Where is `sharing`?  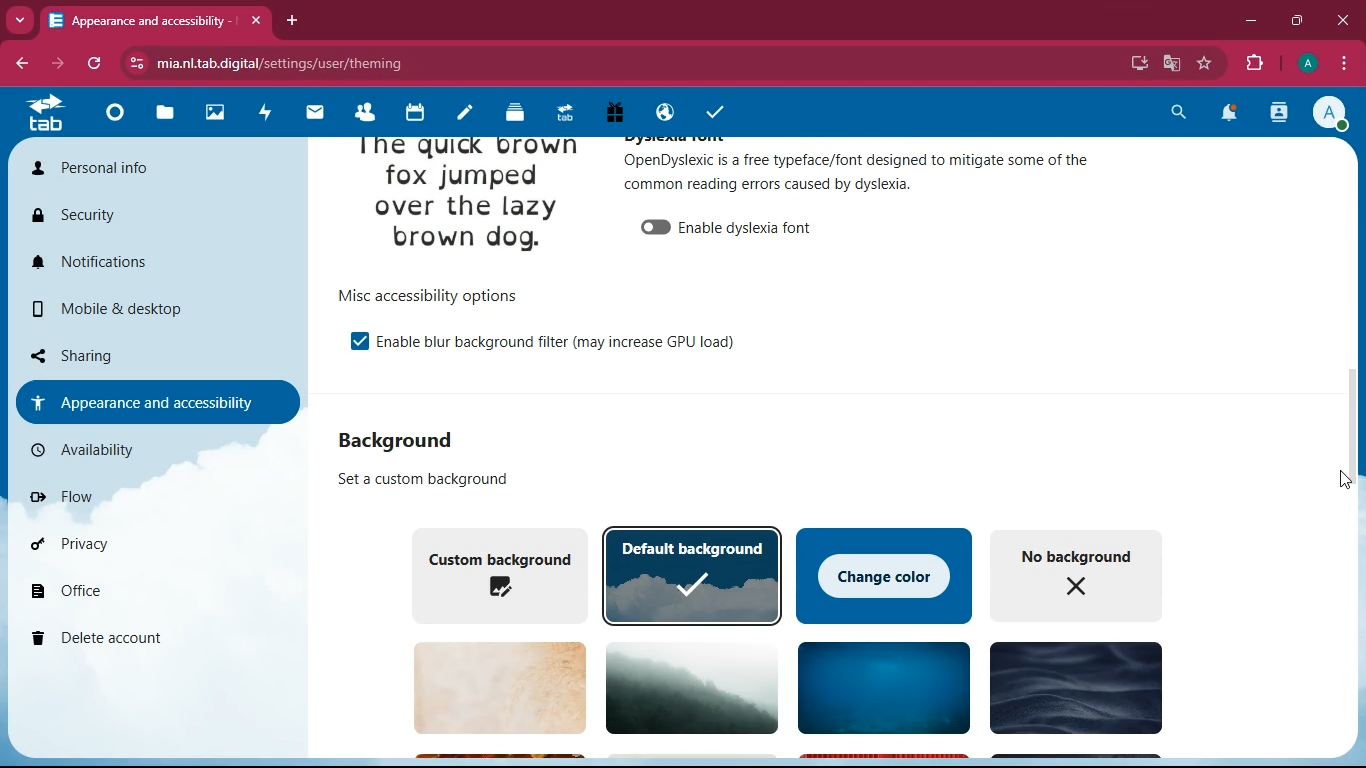 sharing is located at coordinates (149, 353).